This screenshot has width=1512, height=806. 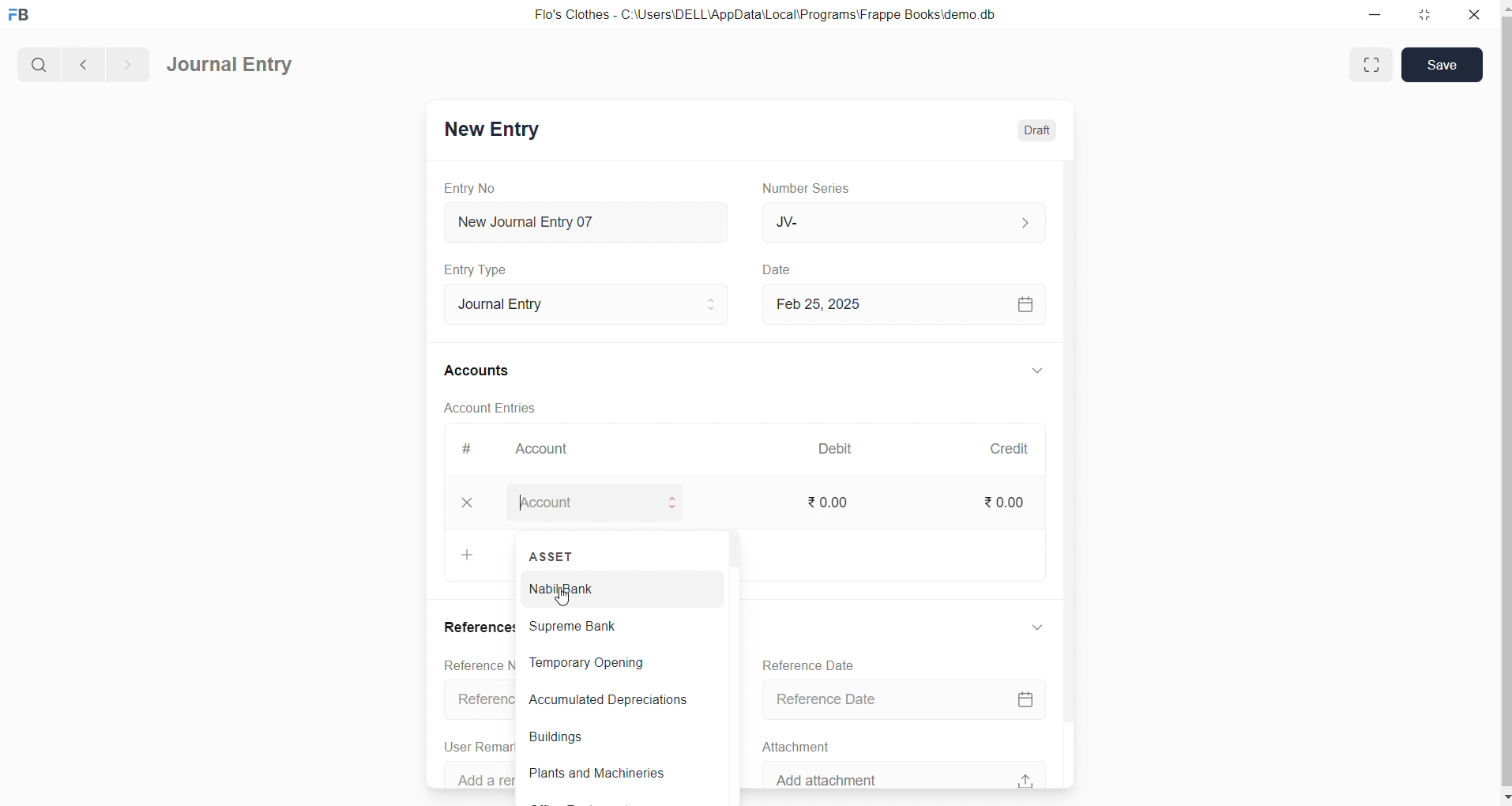 I want to click on Draft, so click(x=1036, y=128).